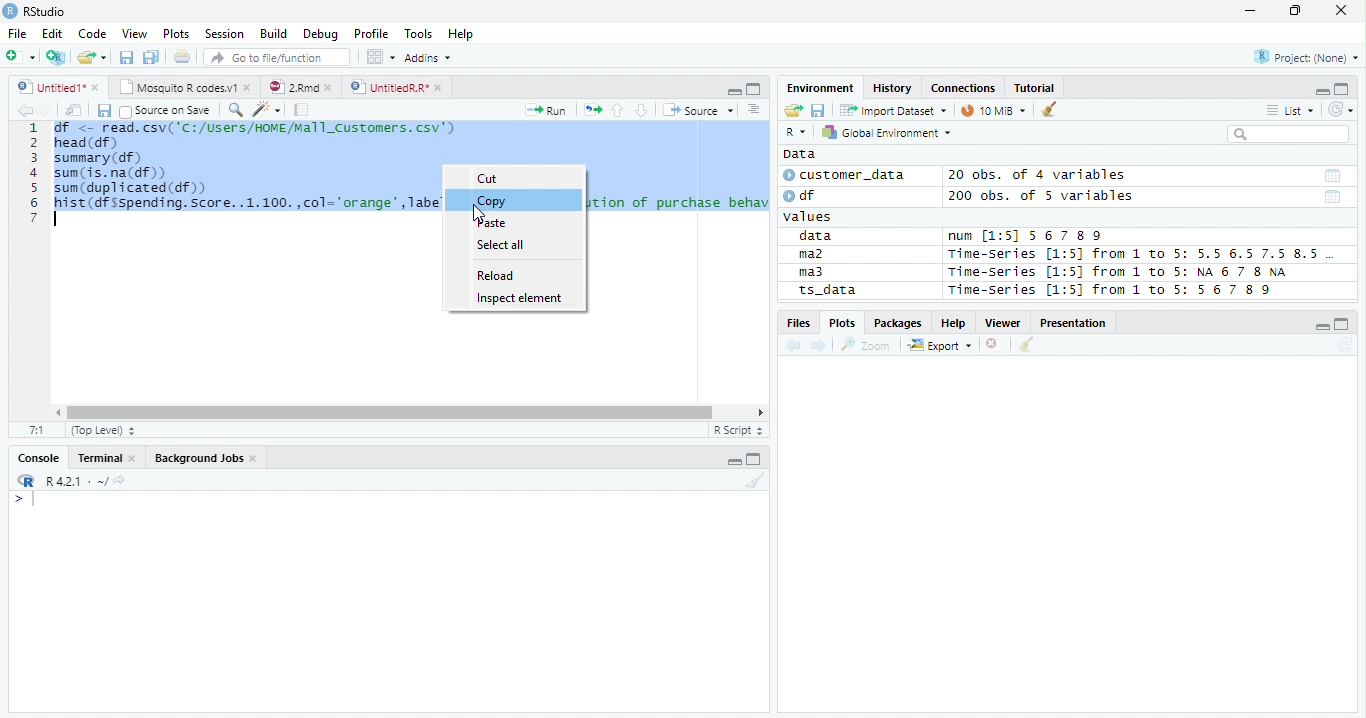  What do you see at coordinates (380, 57) in the screenshot?
I see `Workplace panes` at bounding box center [380, 57].